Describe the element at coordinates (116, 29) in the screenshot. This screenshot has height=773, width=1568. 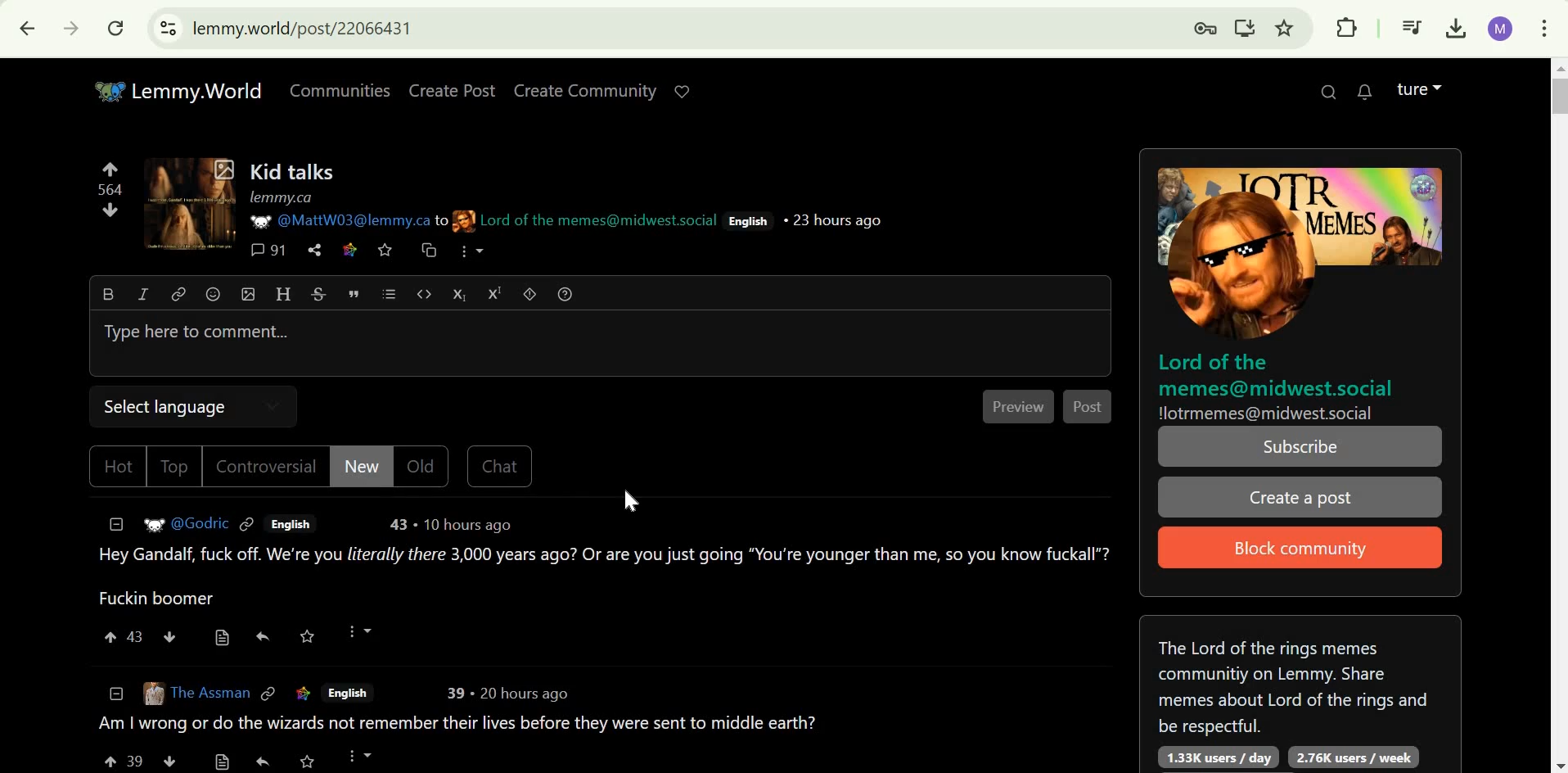
I see `Reload this page` at that location.